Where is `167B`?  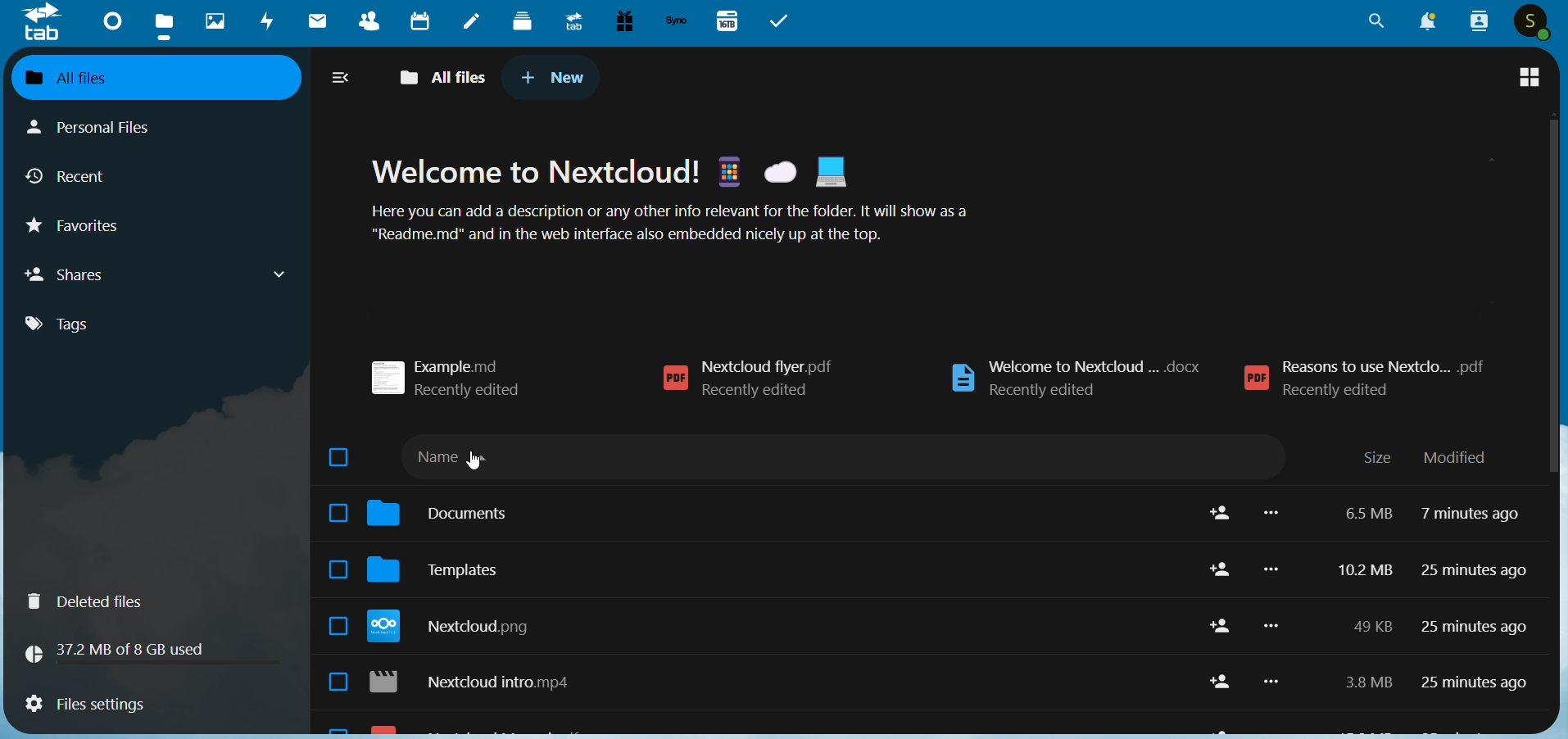
167B is located at coordinates (726, 20).